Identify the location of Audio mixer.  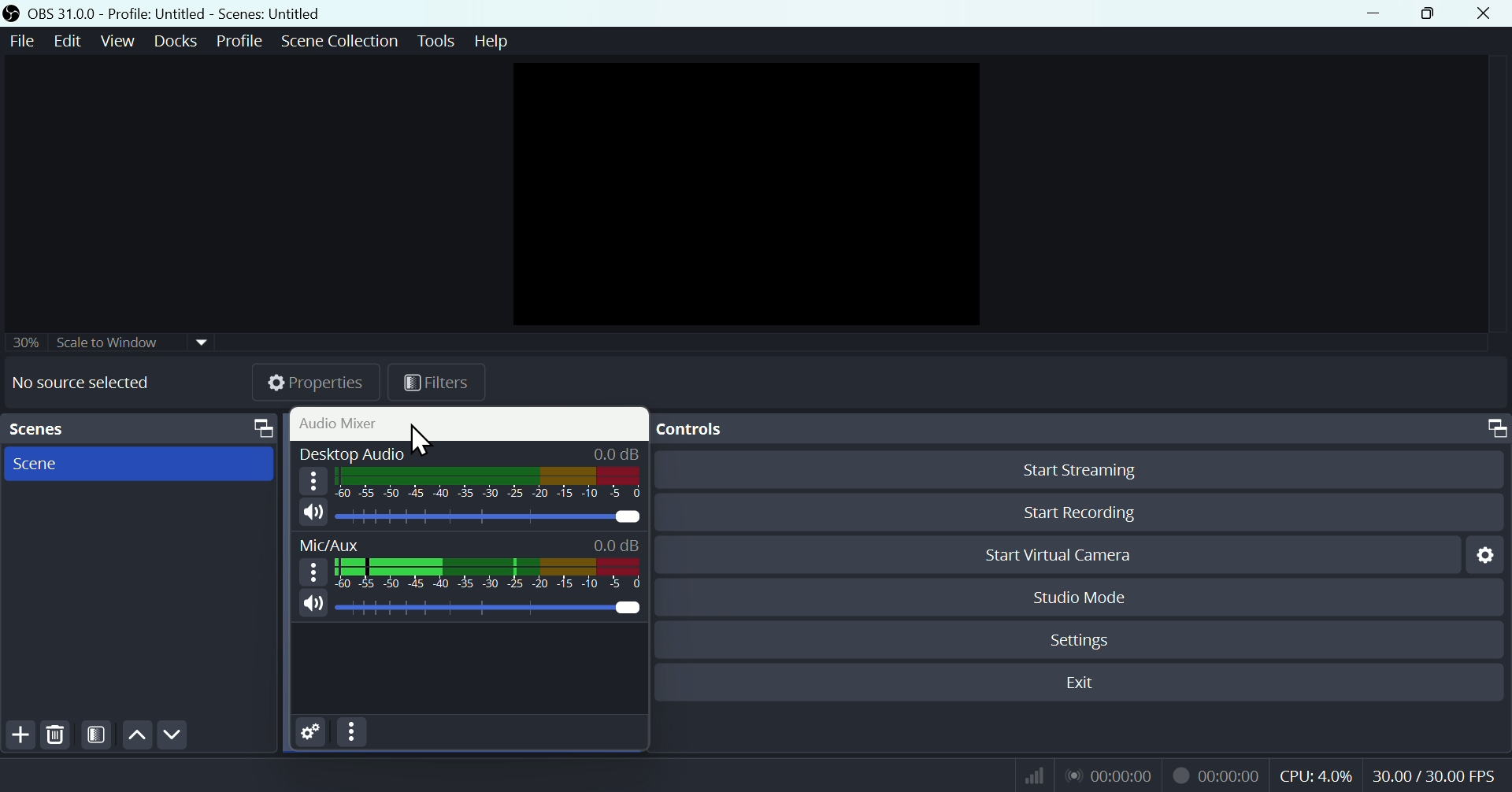
(468, 422).